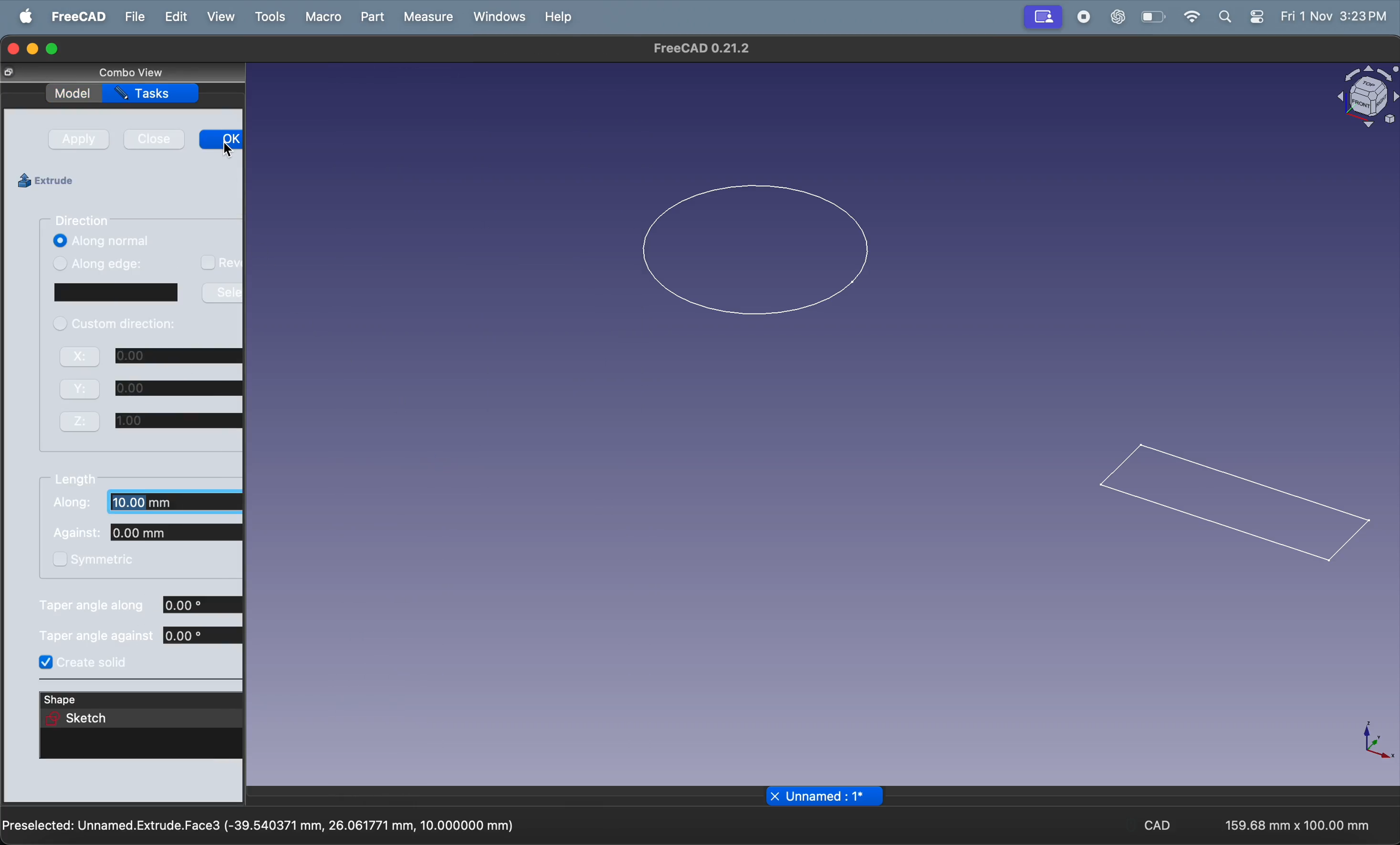  What do you see at coordinates (369, 16) in the screenshot?
I see `Part` at bounding box center [369, 16].